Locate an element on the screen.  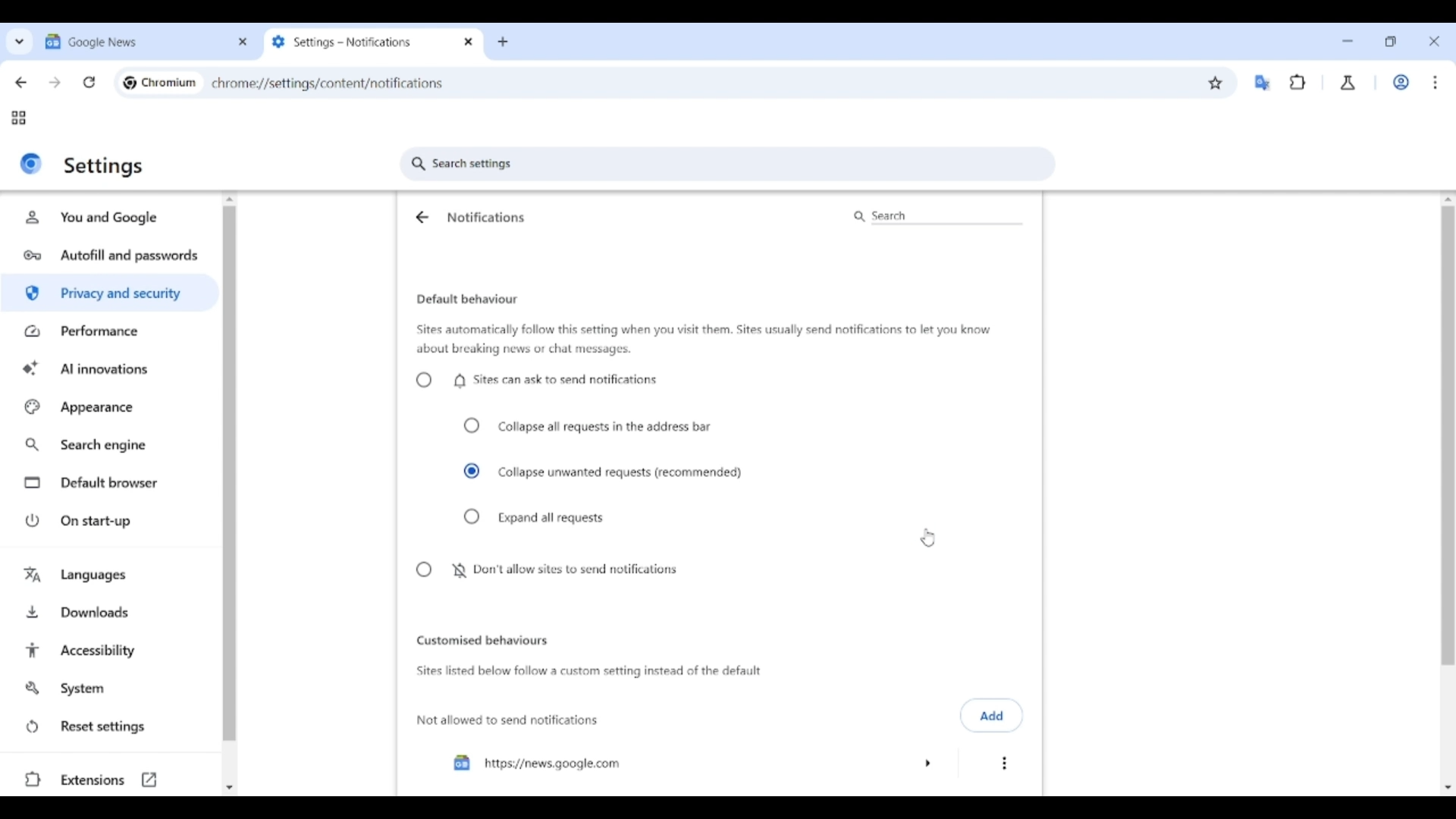
Go back is located at coordinates (20, 83).